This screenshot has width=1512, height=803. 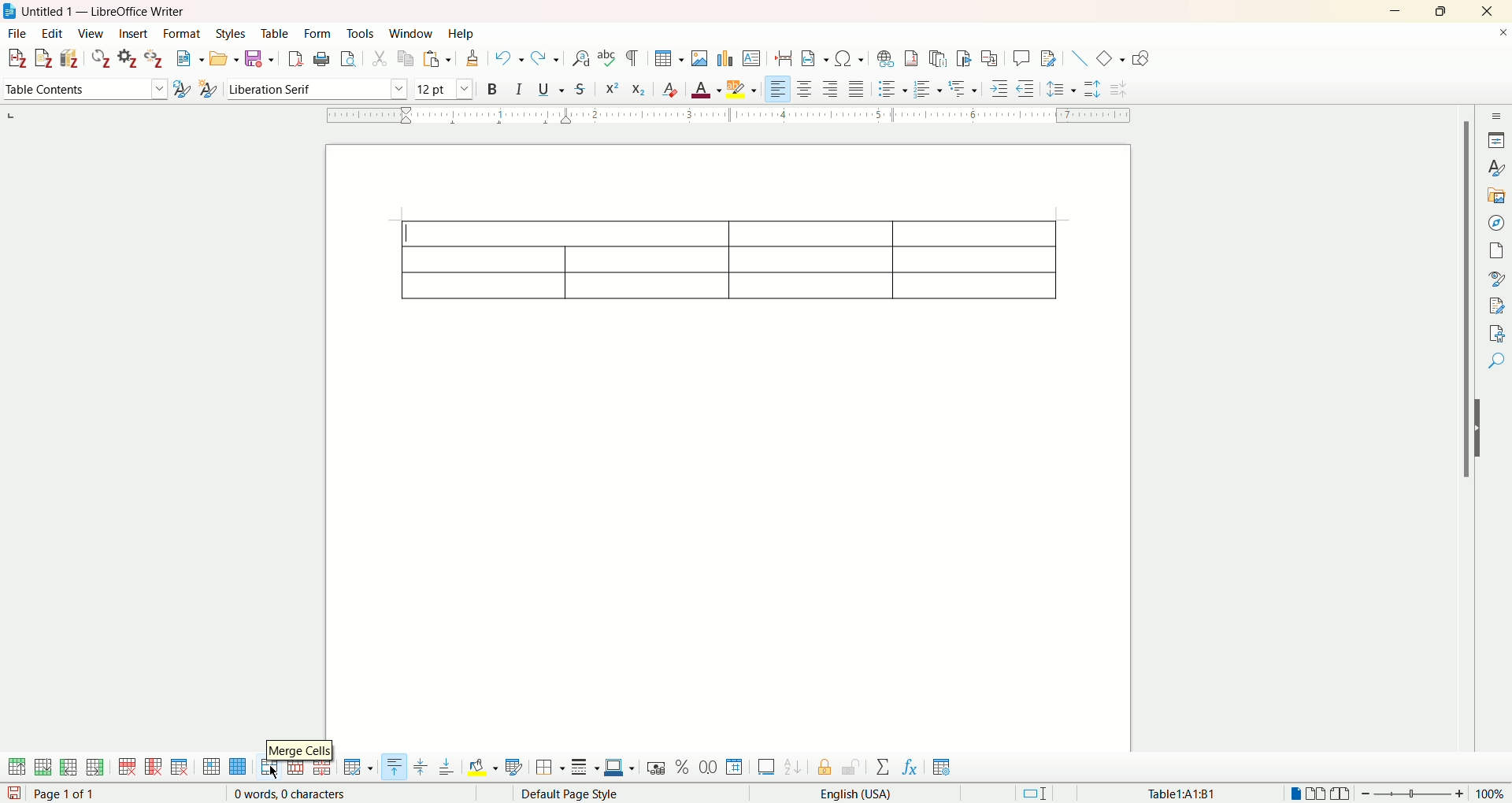 I want to click on accessibility check, so click(x=1495, y=335).